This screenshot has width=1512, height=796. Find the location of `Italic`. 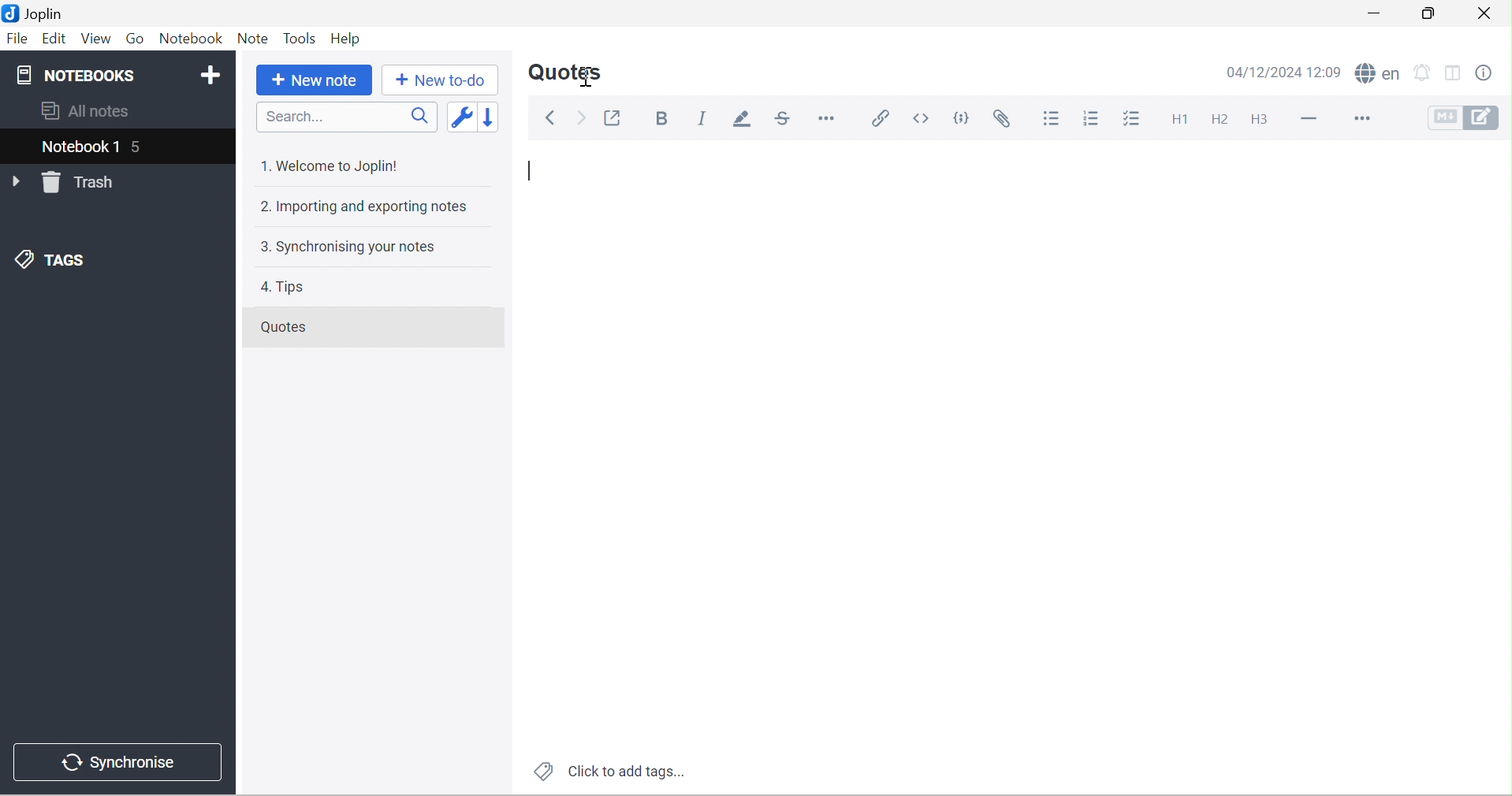

Italic is located at coordinates (707, 118).